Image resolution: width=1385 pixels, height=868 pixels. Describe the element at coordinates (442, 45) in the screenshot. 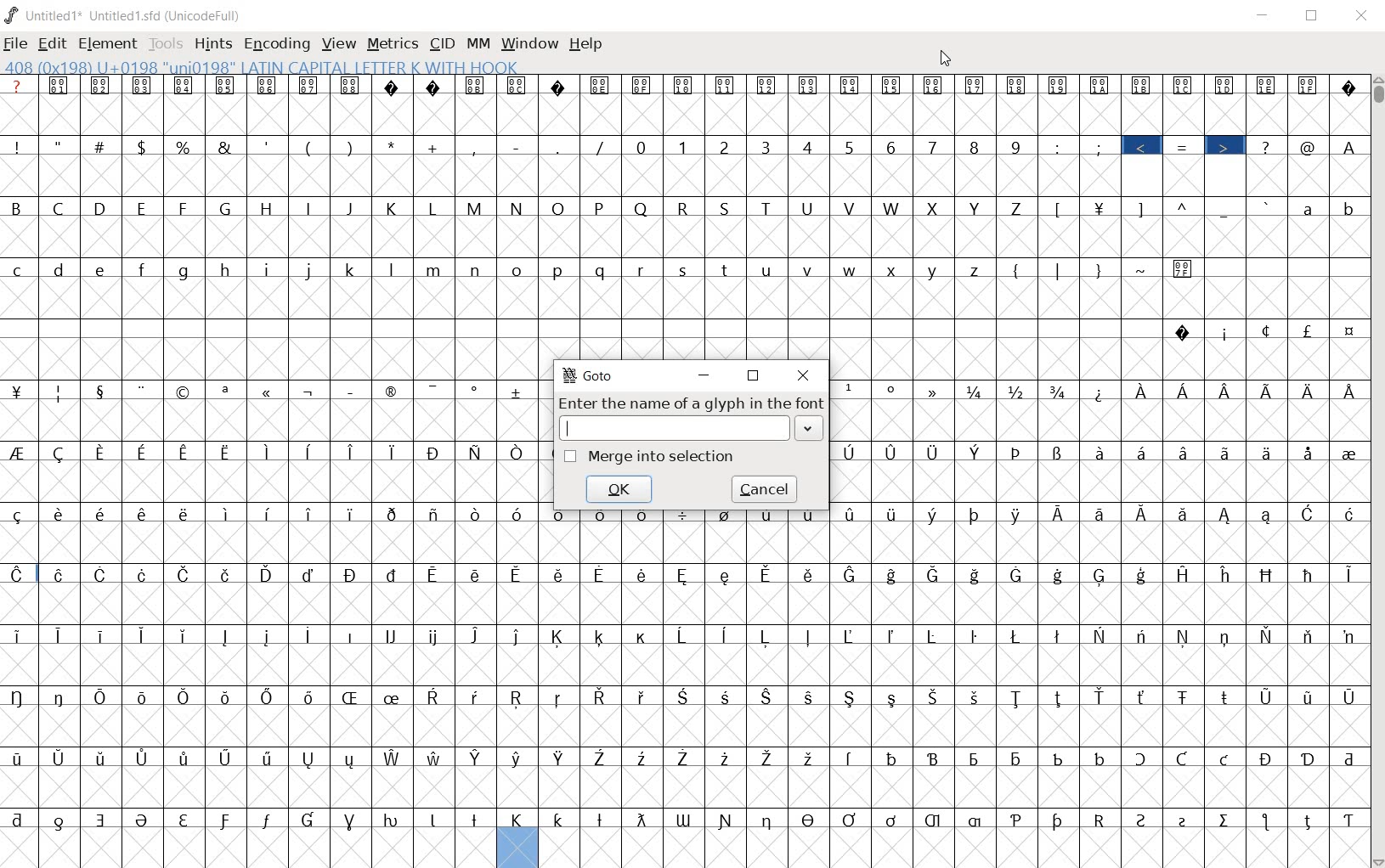

I see `cid` at that location.